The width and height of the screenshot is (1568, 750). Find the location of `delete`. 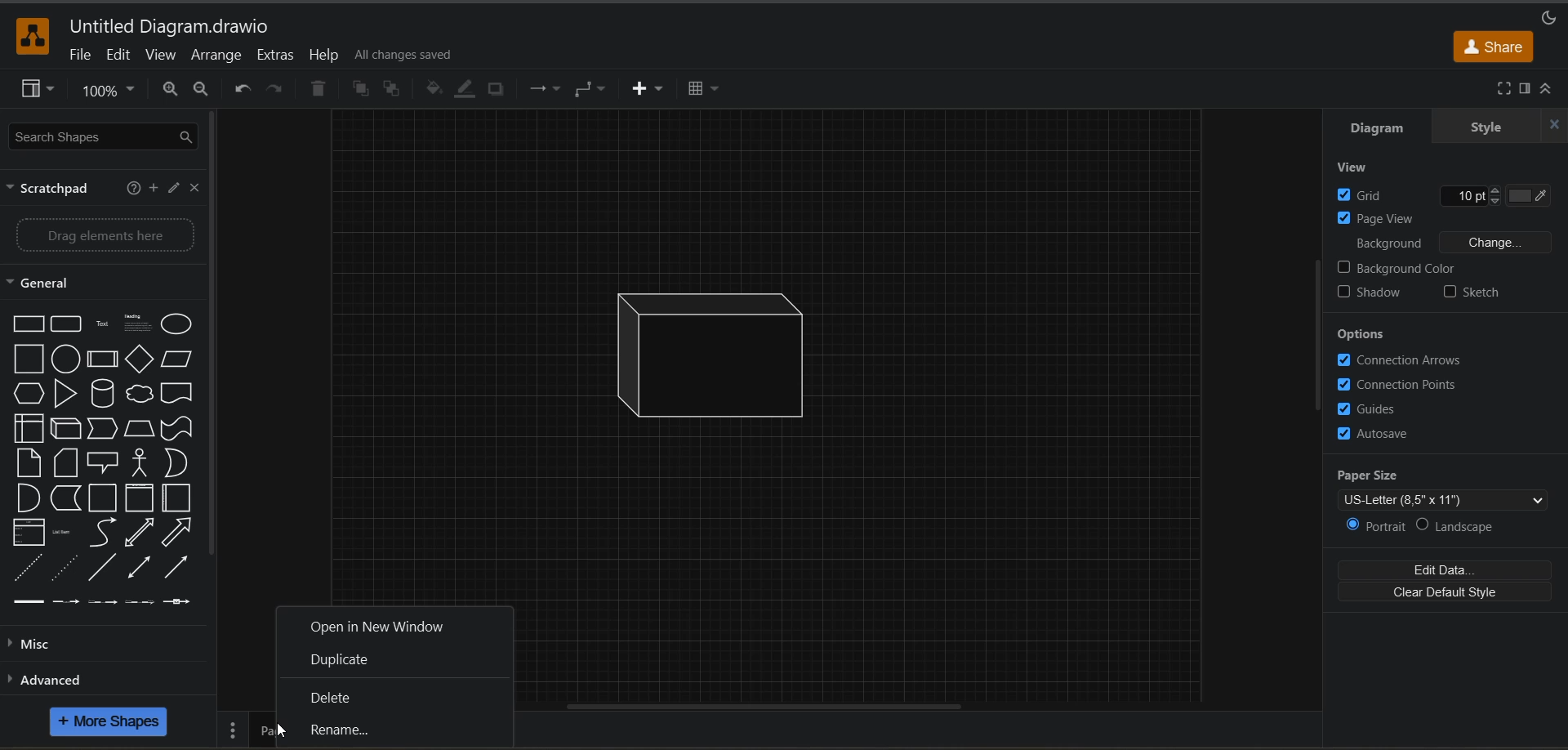

delete is located at coordinates (346, 699).